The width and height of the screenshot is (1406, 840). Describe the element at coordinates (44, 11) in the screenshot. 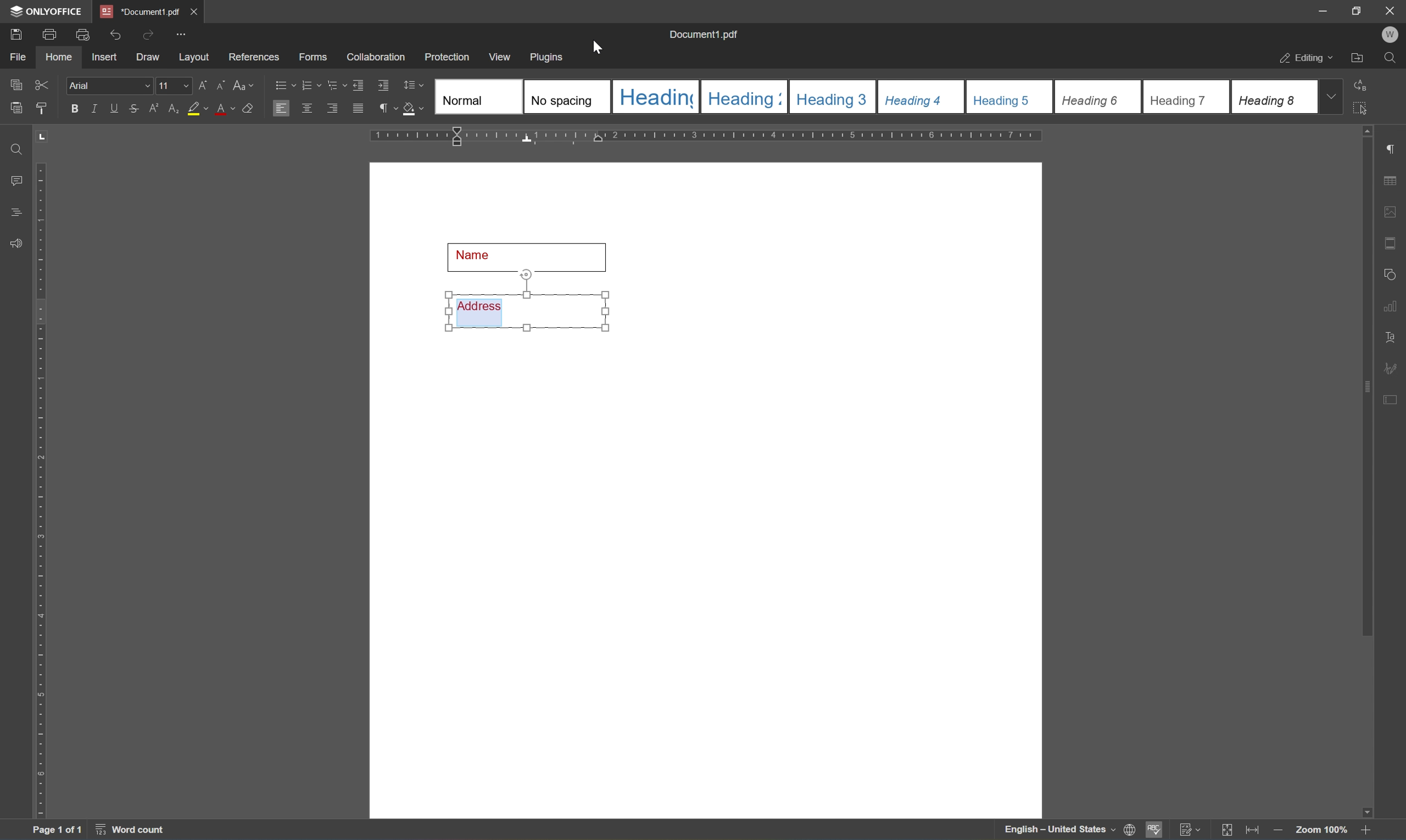

I see `ONLYOFFICE` at that location.